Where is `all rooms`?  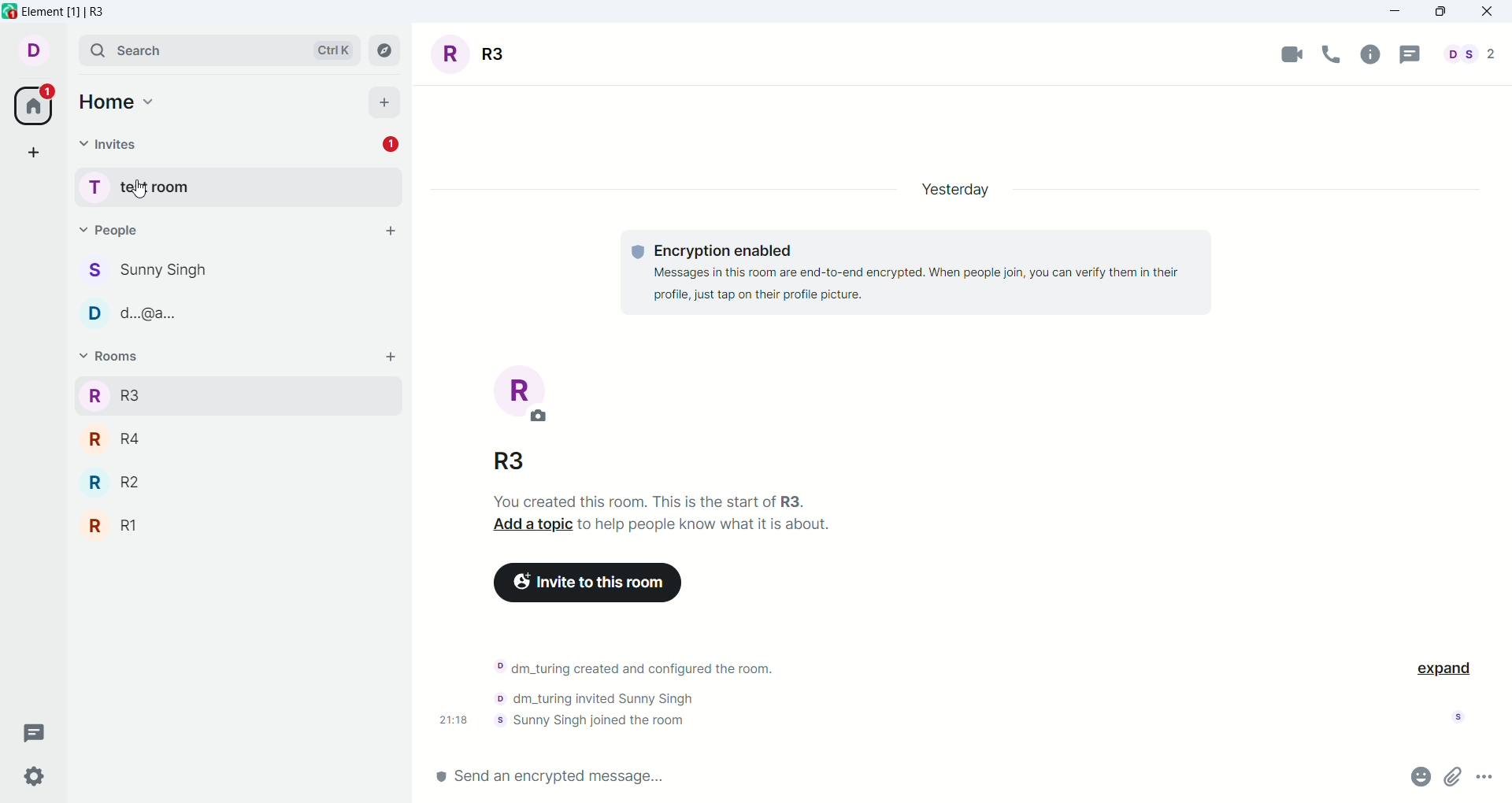 all rooms is located at coordinates (35, 106).